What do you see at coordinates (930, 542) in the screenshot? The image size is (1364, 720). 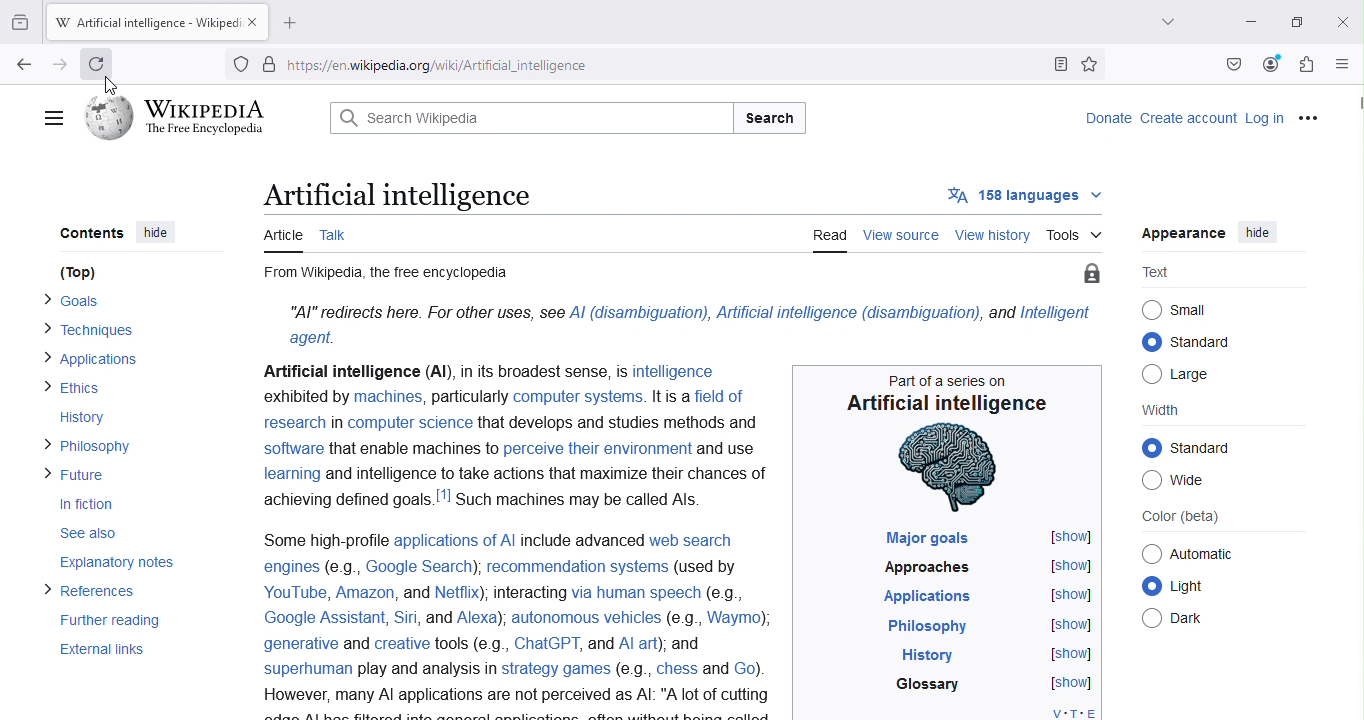 I see `Major goals` at bounding box center [930, 542].